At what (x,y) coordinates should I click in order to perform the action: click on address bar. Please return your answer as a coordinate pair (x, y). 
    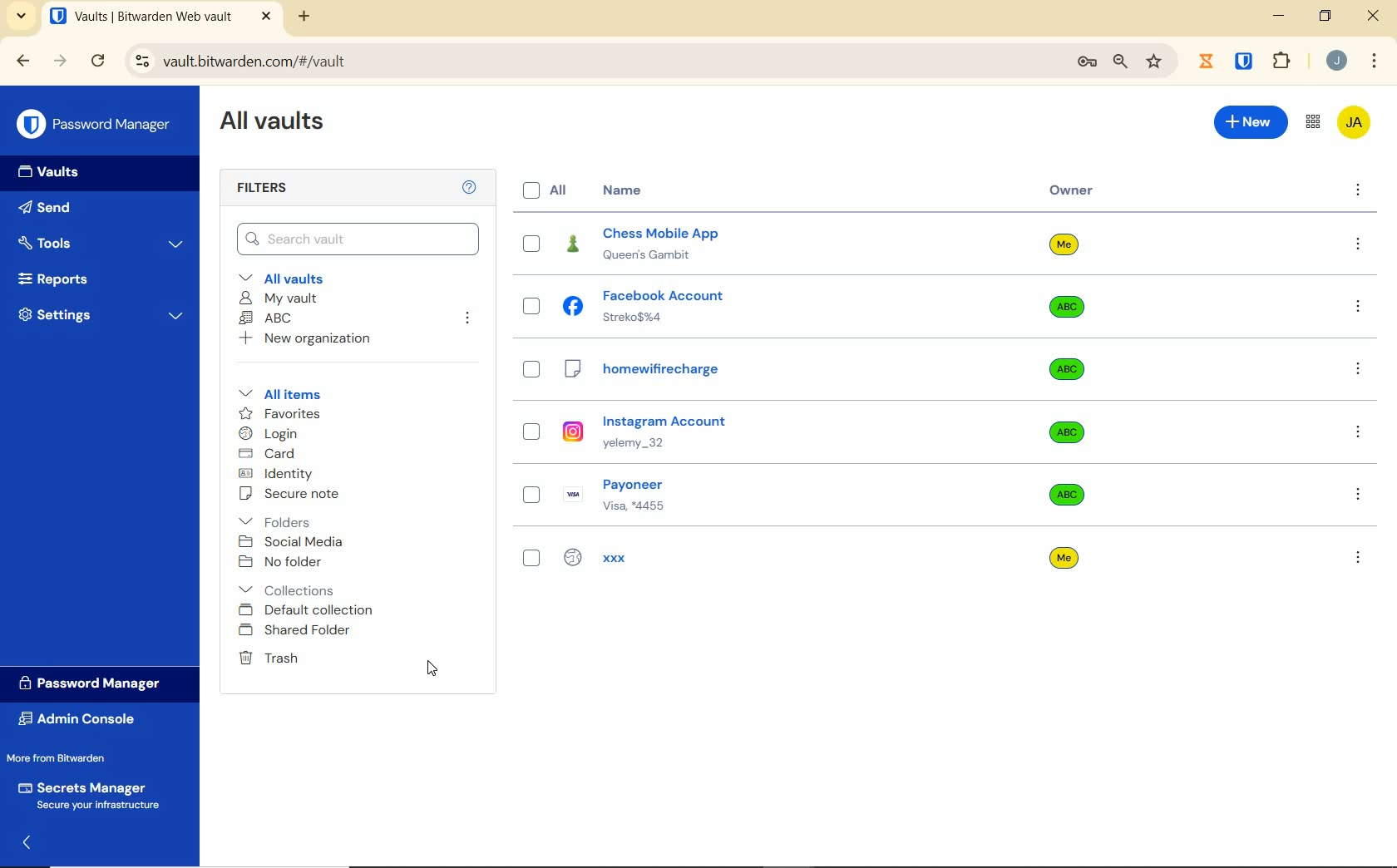
    Looking at the image, I should click on (590, 62).